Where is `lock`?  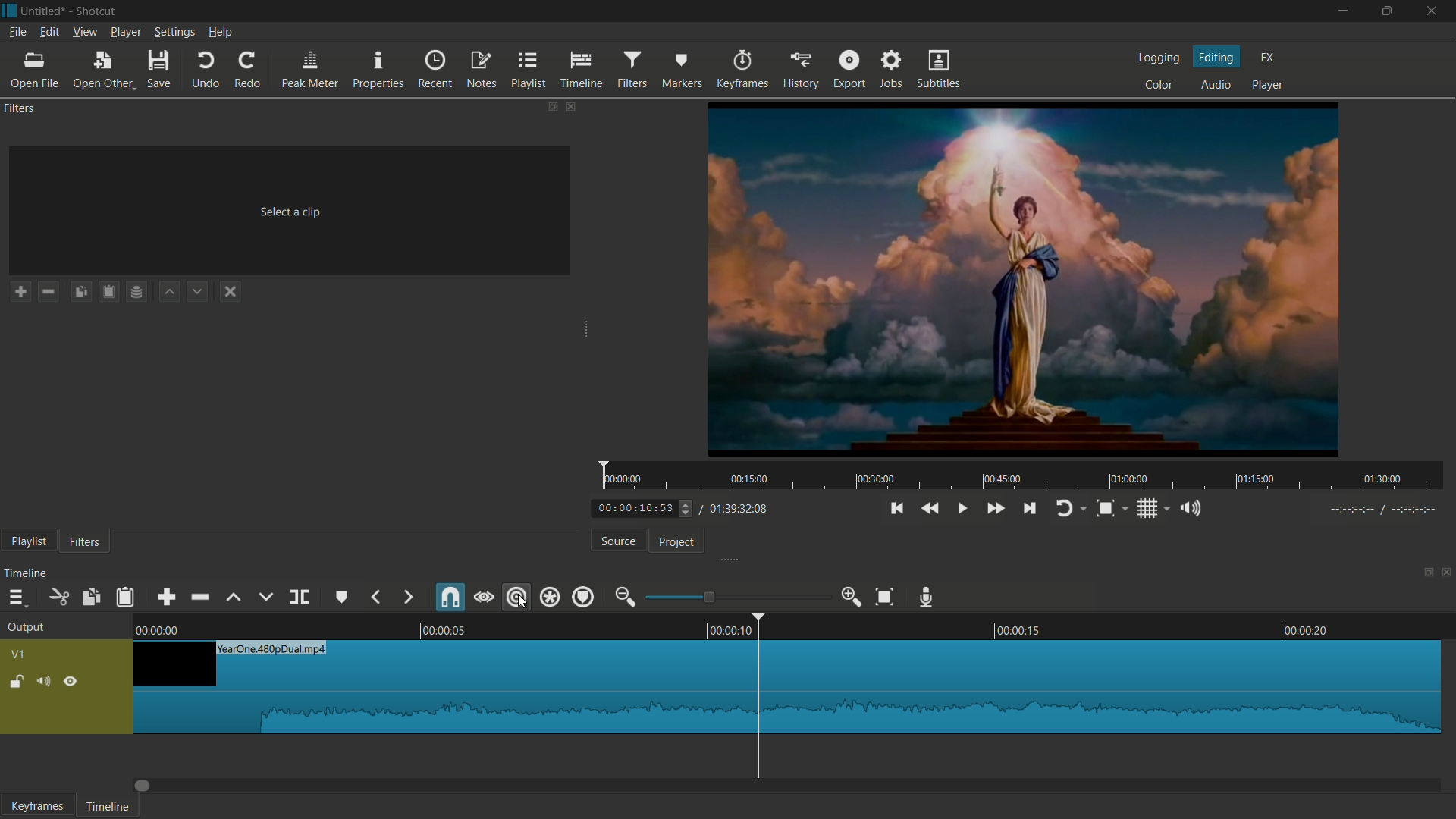
lock is located at coordinates (14, 683).